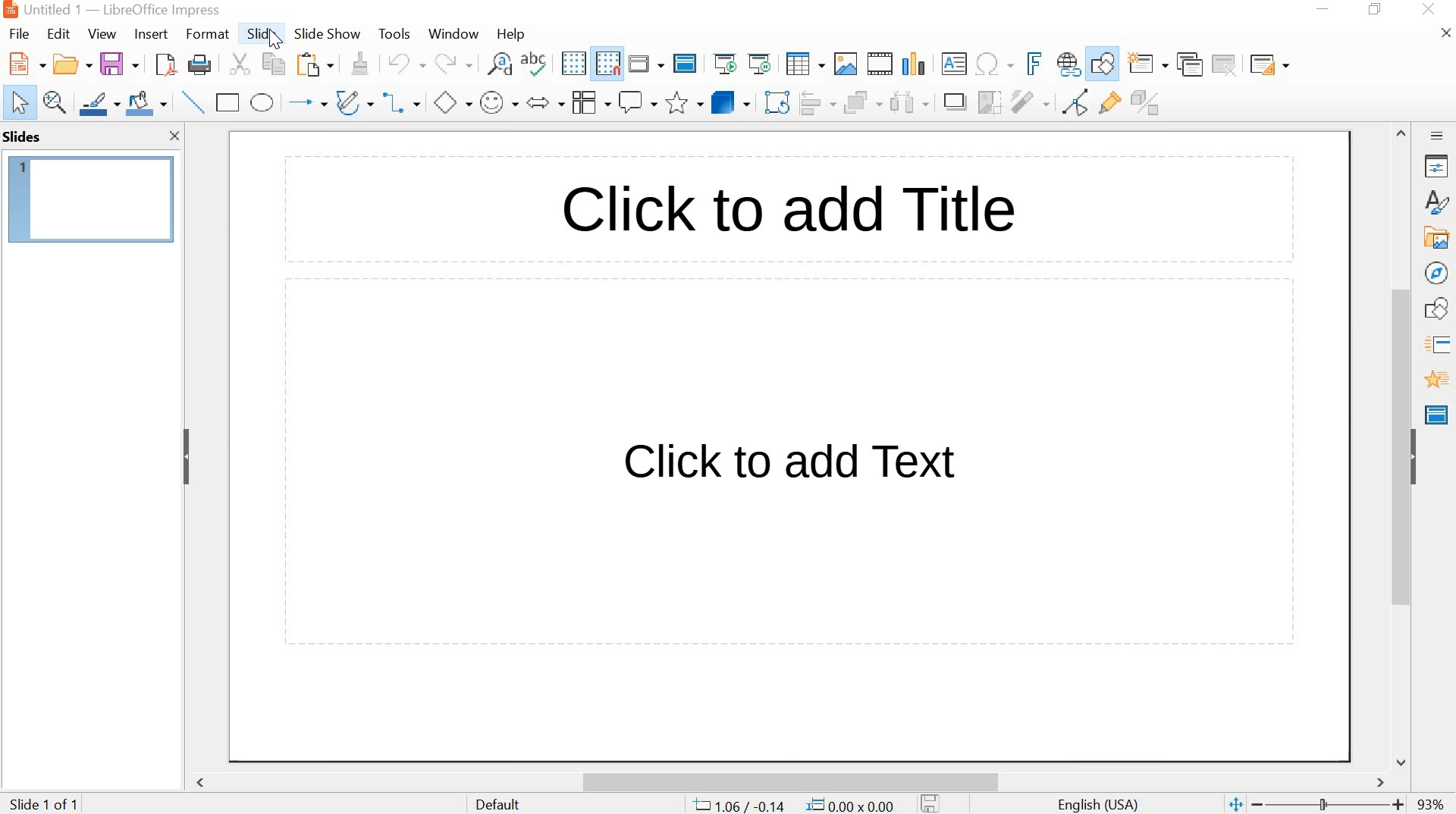  What do you see at coordinates (405, 101) in the screenshot?
I see `Connectors` at bounding box center [405, 101].